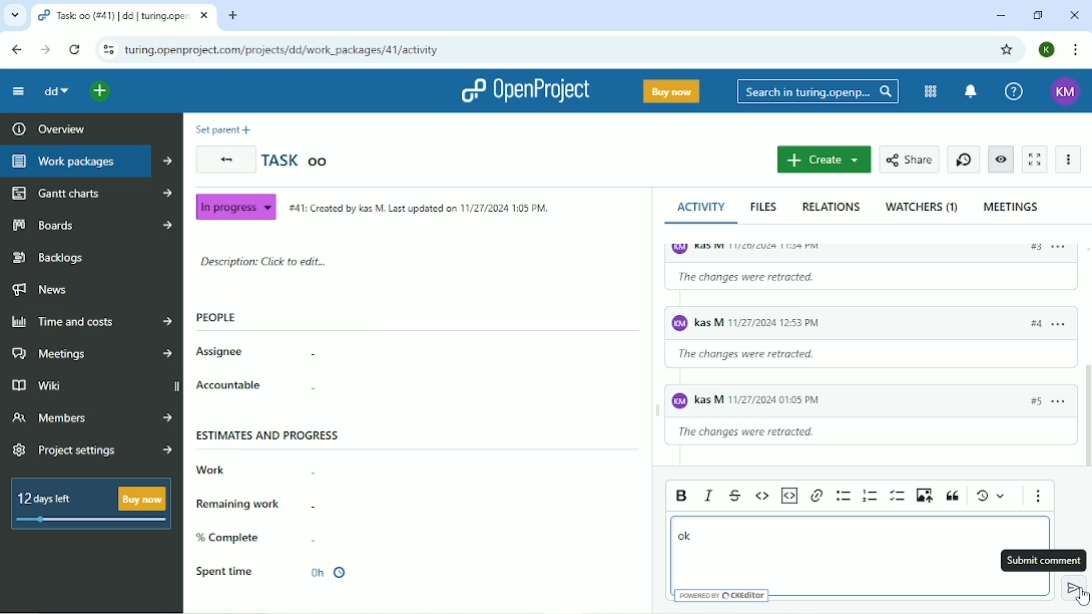 The image size is (1092, 614). What do you see at coordinates (92, 452) in the screenshot?
I see `Project settings` at bounding box center [92, 452].